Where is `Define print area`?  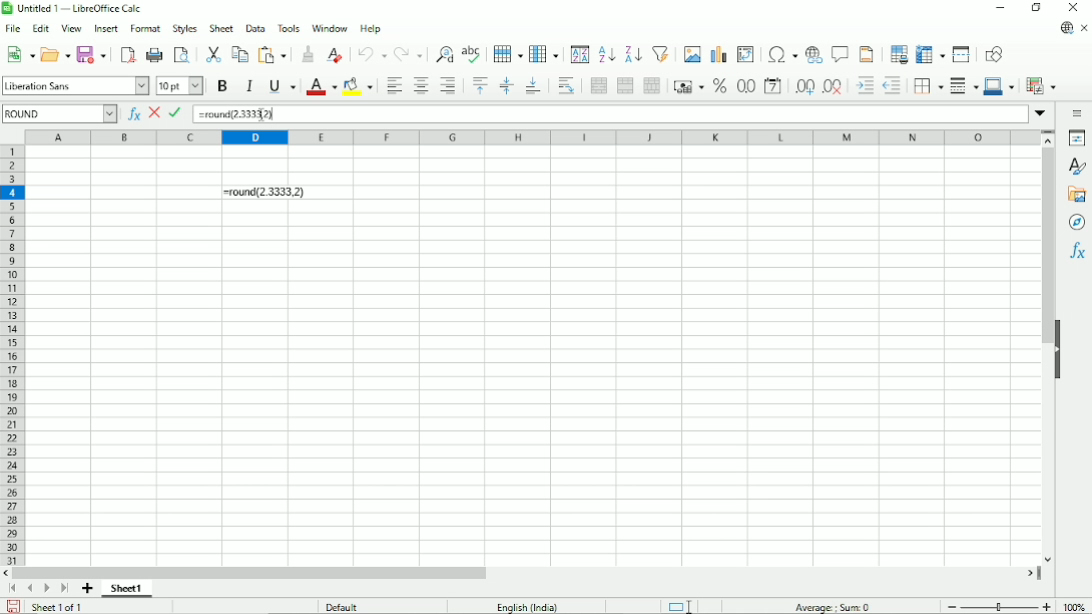 Define print area is located at coordinates (897, 54).